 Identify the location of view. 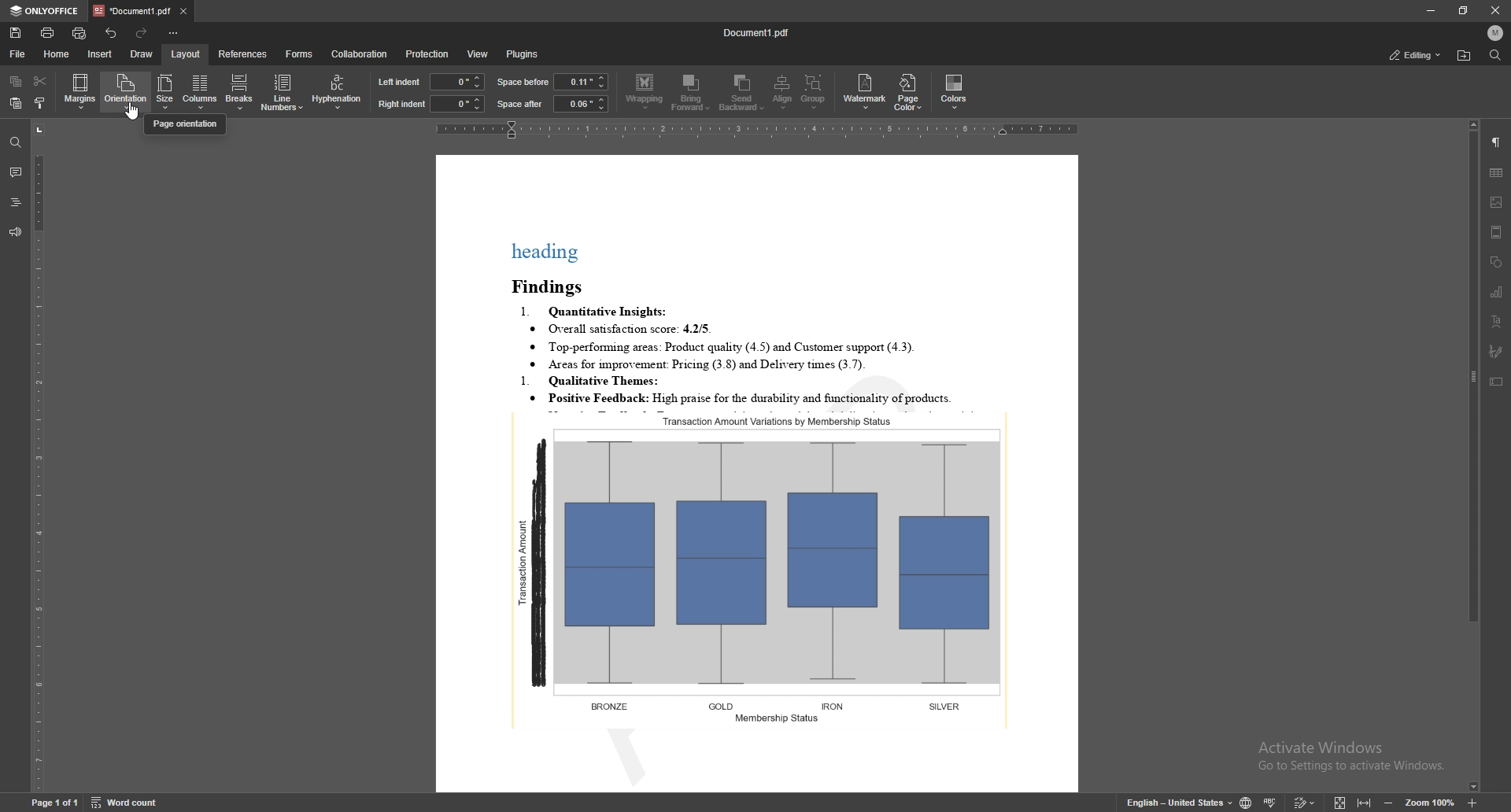
(478, 54).